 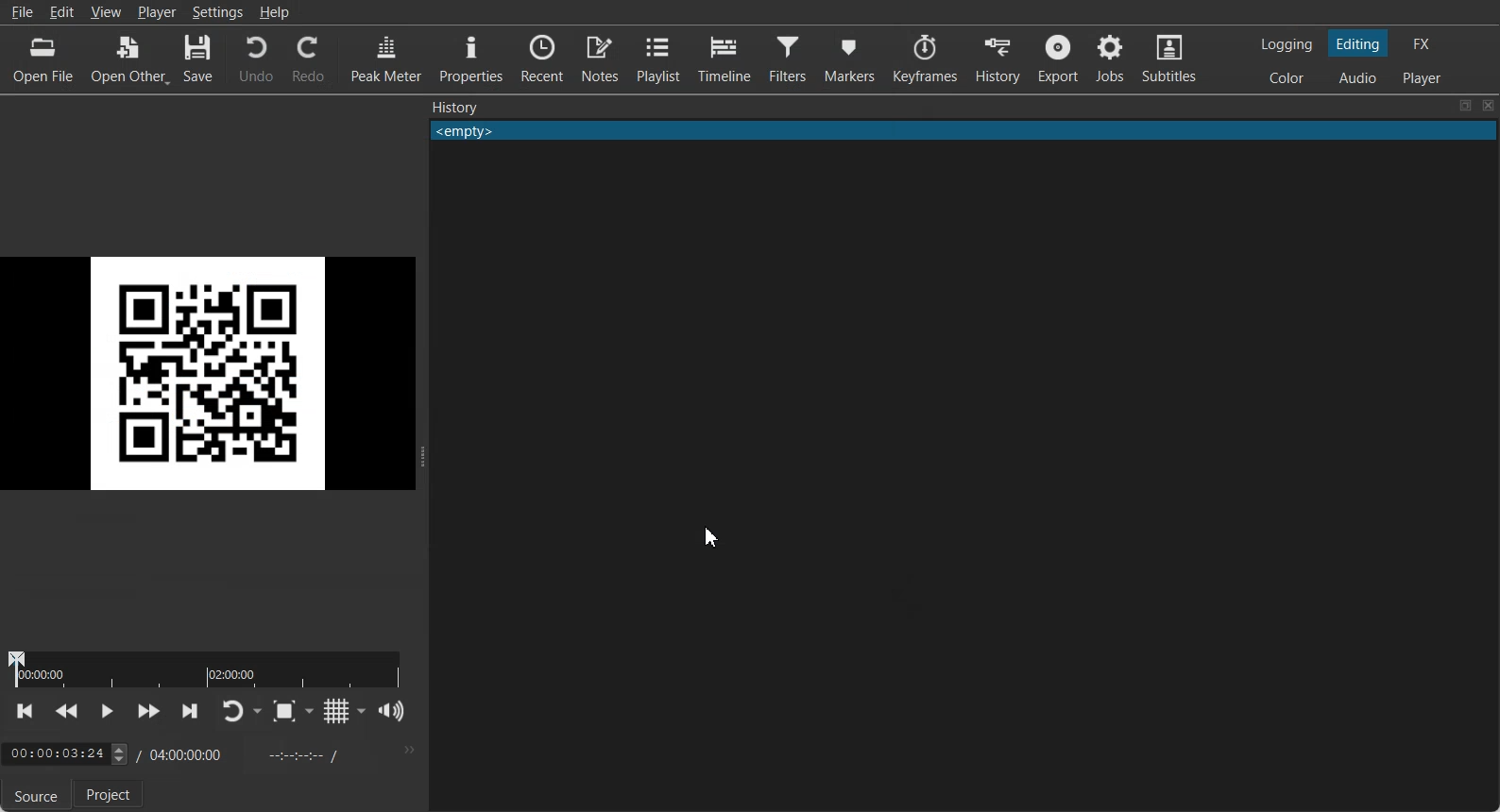 What do you see at coordinates (107, 12) in the screenshot?
I see `View` at bounding box center [107, 12].